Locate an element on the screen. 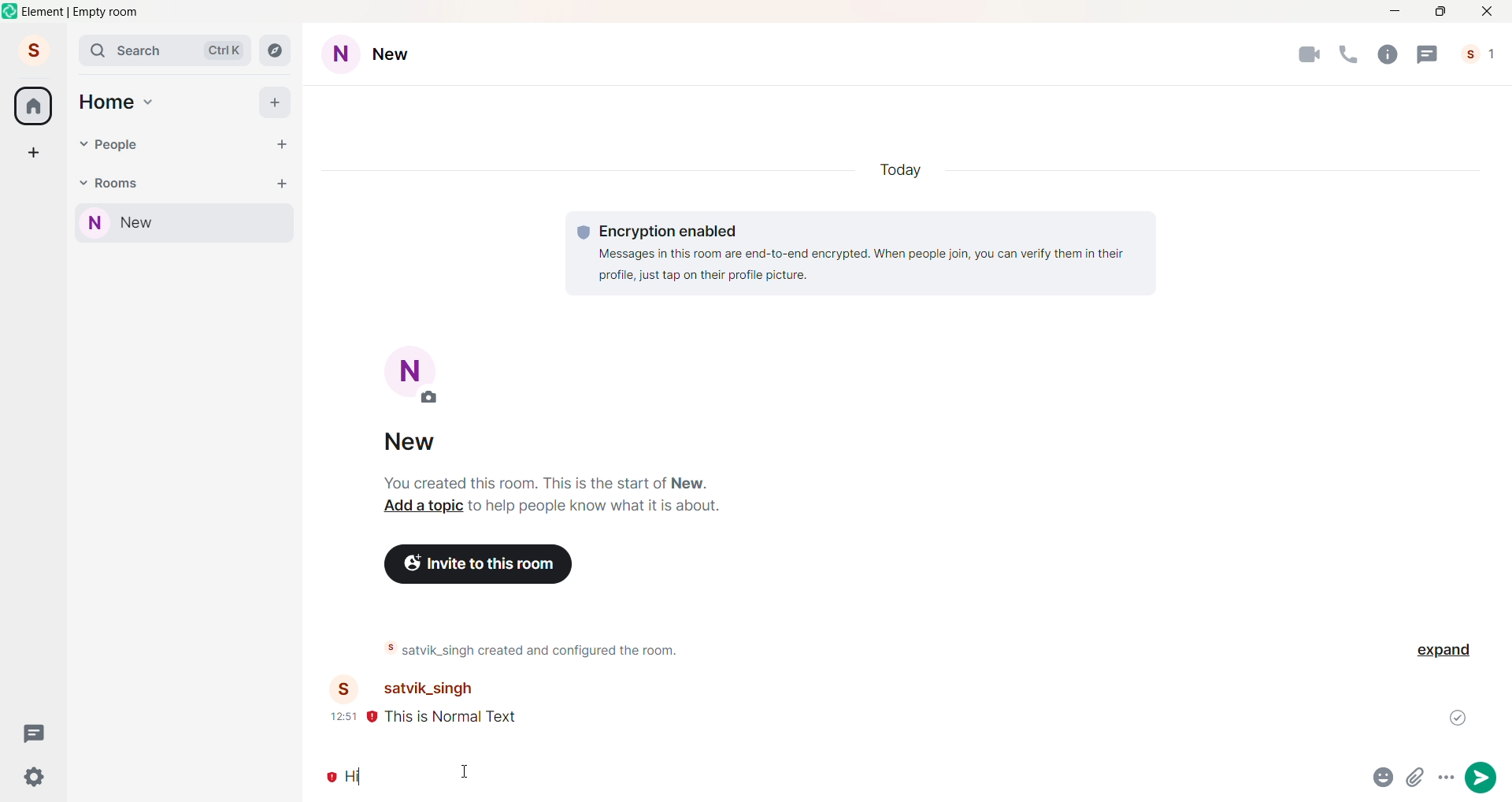 The height and width of the screenshot is (802, 1512). Minimize is located at coordinates (1392, 12).